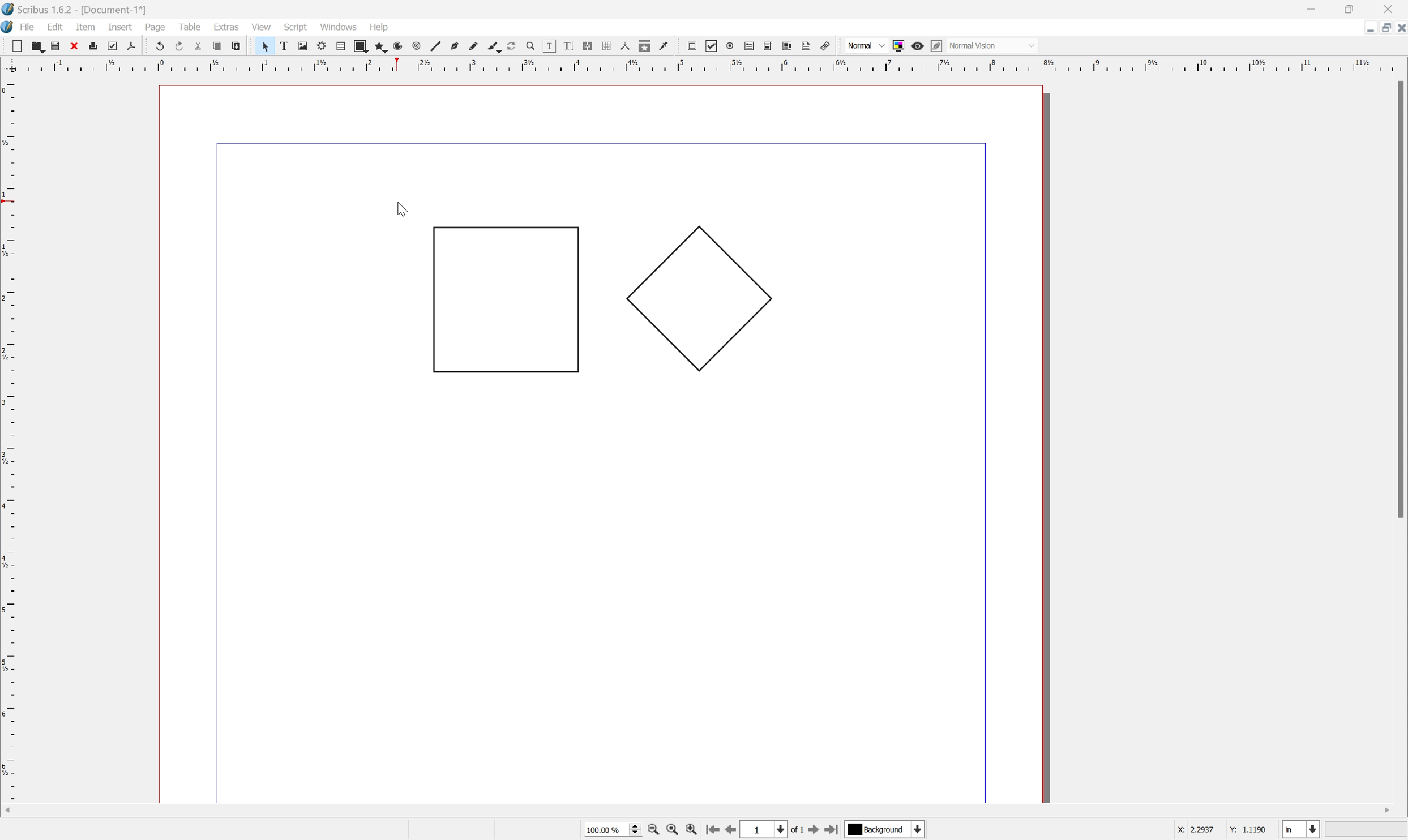 This screenshot has width=1408, height=840. Describe the element at coordinates (505, 301) in the screenshot. I see `Rectangle` at that location.